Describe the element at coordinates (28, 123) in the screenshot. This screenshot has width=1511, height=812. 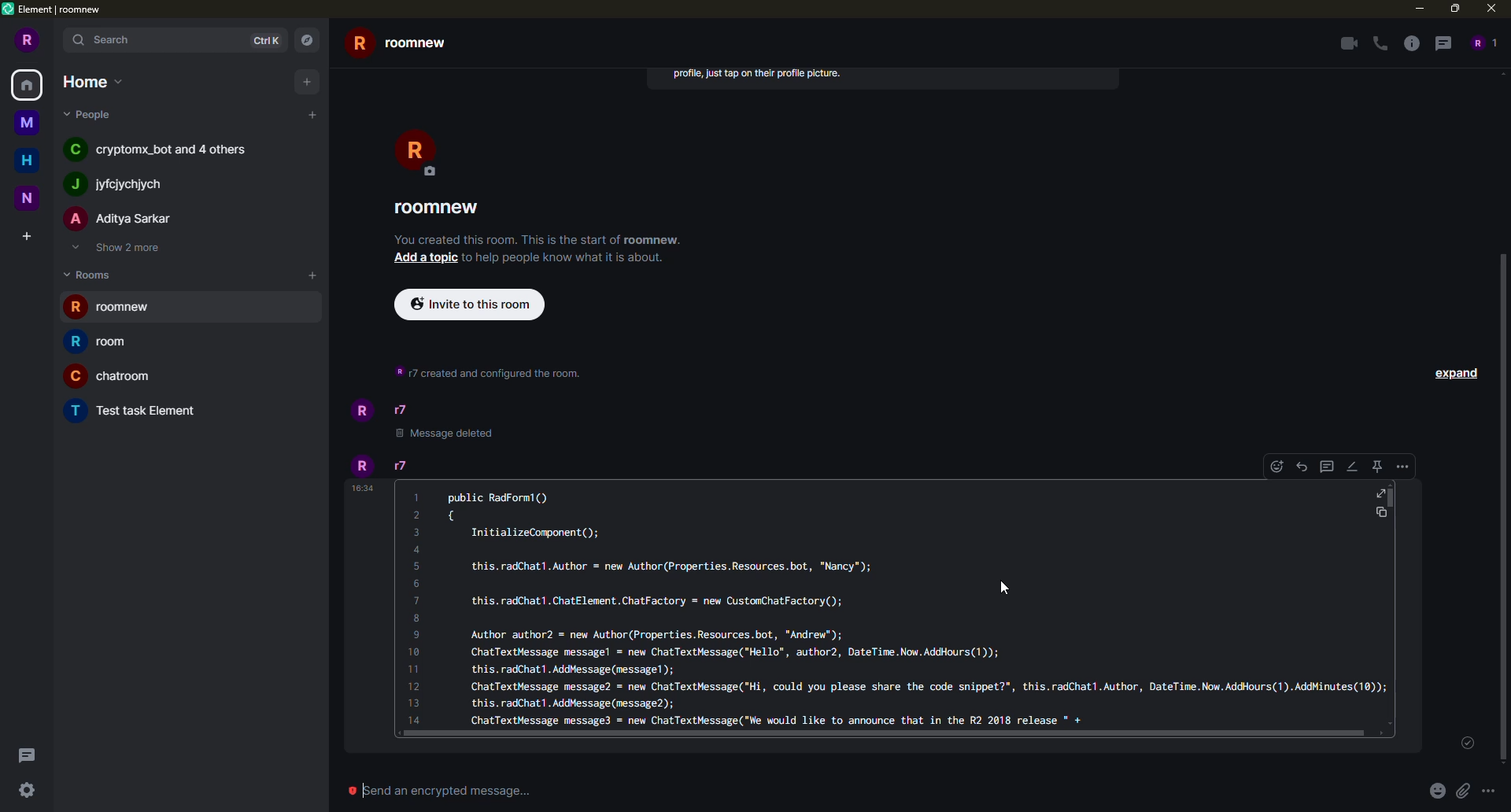
I see `space` at that location.